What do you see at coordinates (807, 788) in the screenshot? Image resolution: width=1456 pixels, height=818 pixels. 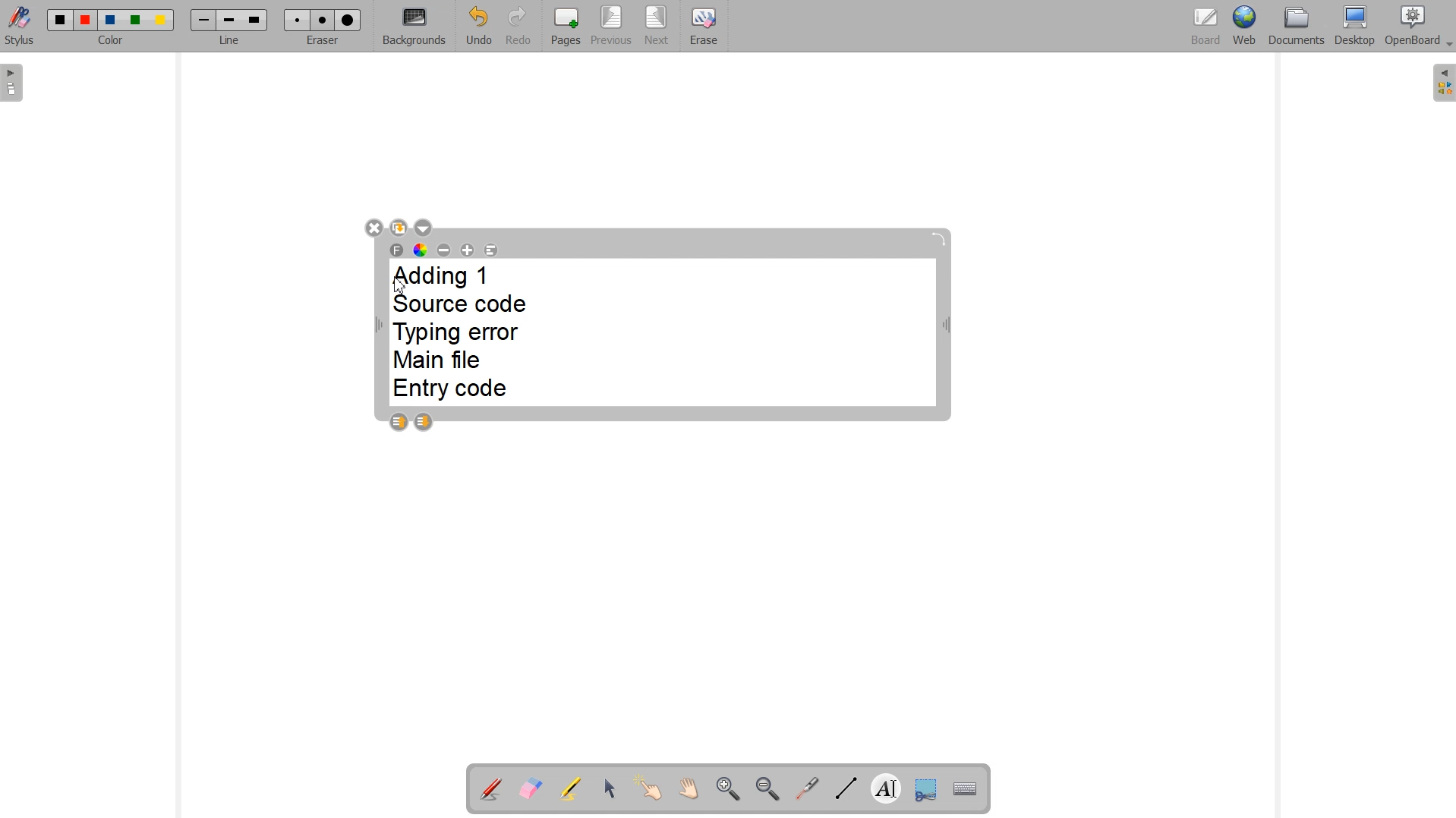 I see `Virtual laser pointer` at bounding box center [807, 788].